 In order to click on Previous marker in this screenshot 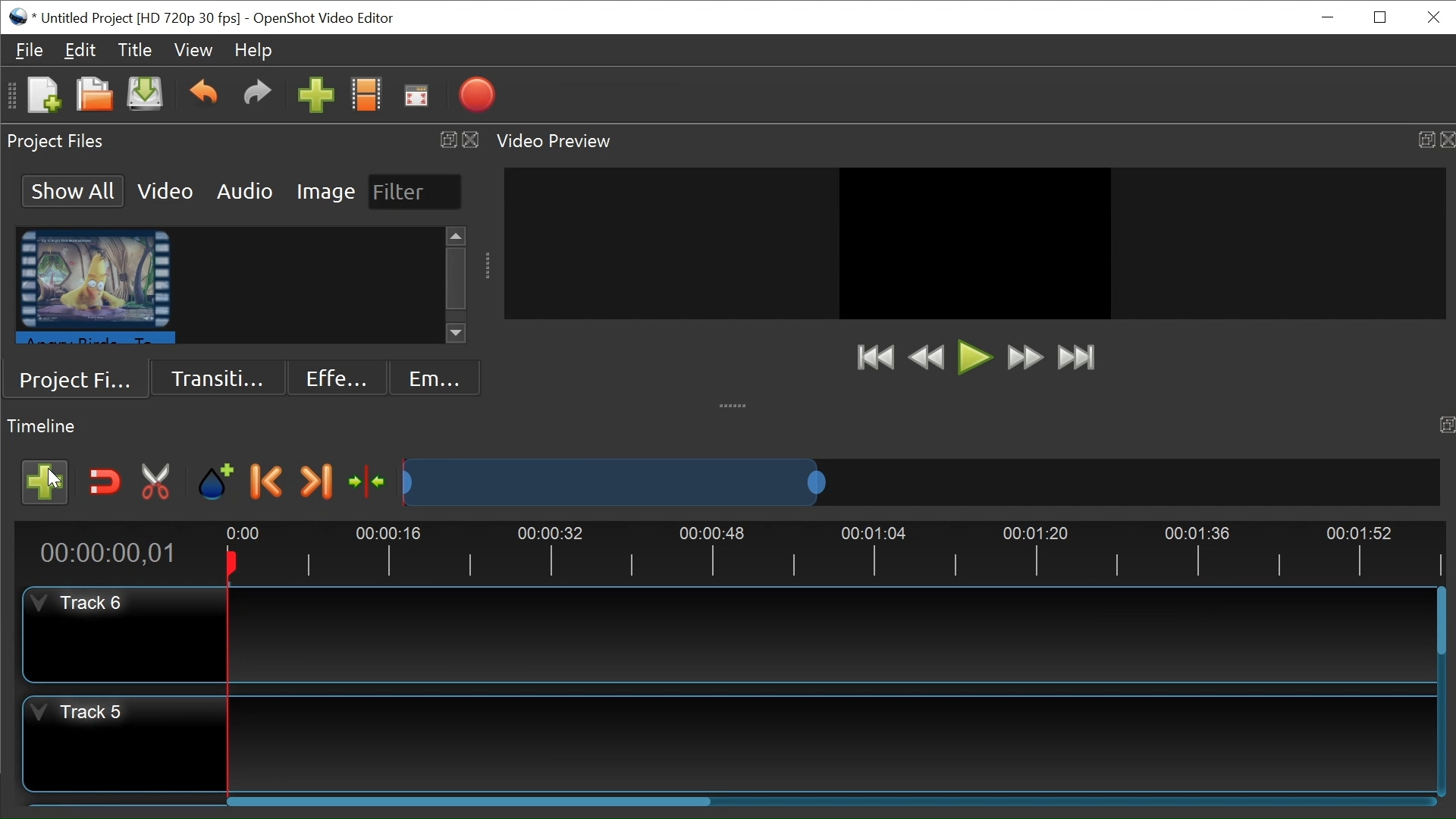, I will do `click(269, 480)`.